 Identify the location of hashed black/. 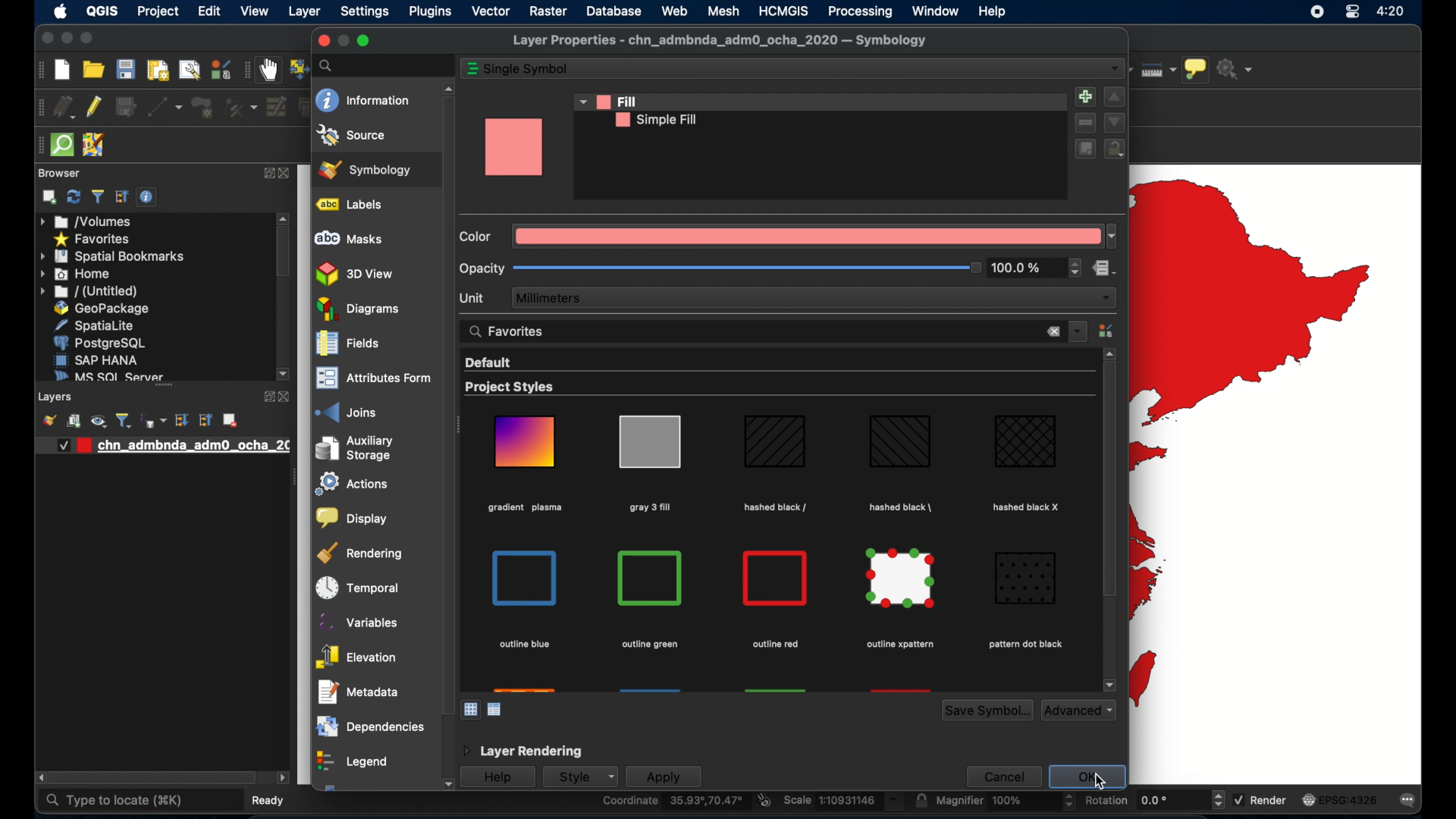
(776, 507).